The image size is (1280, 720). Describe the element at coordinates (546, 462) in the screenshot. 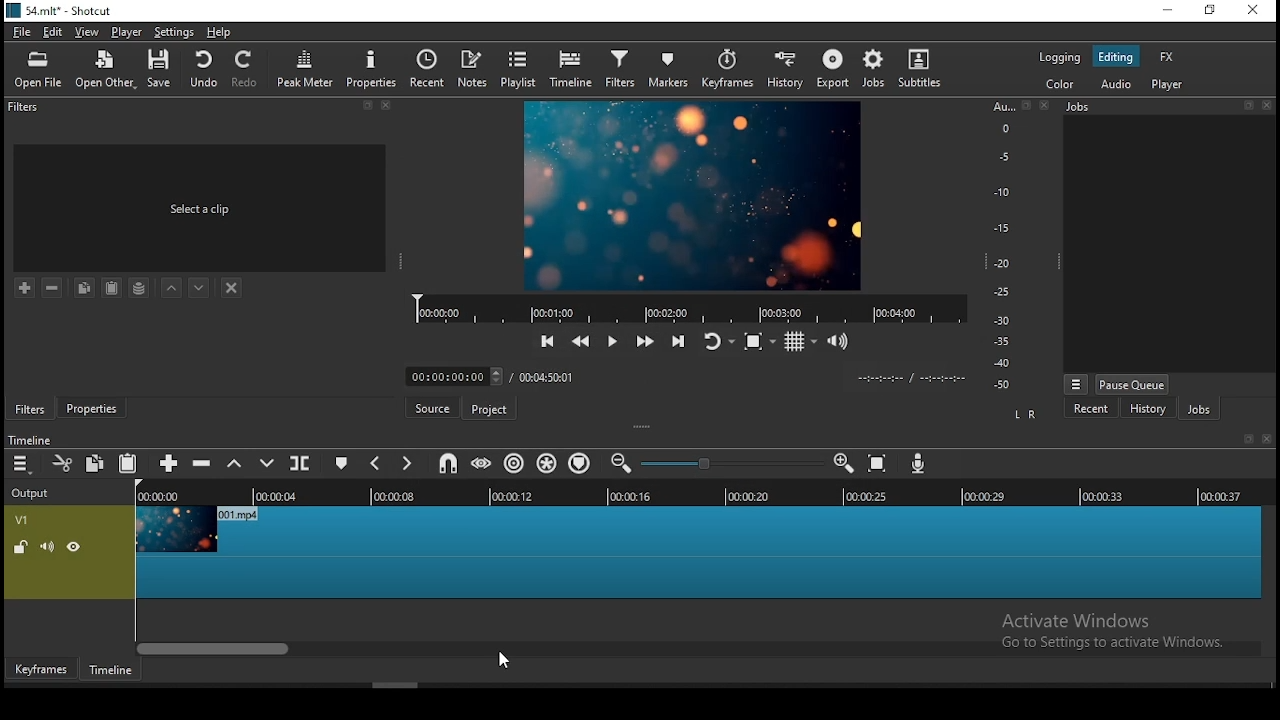

I see `ripple all tracks` at that location.